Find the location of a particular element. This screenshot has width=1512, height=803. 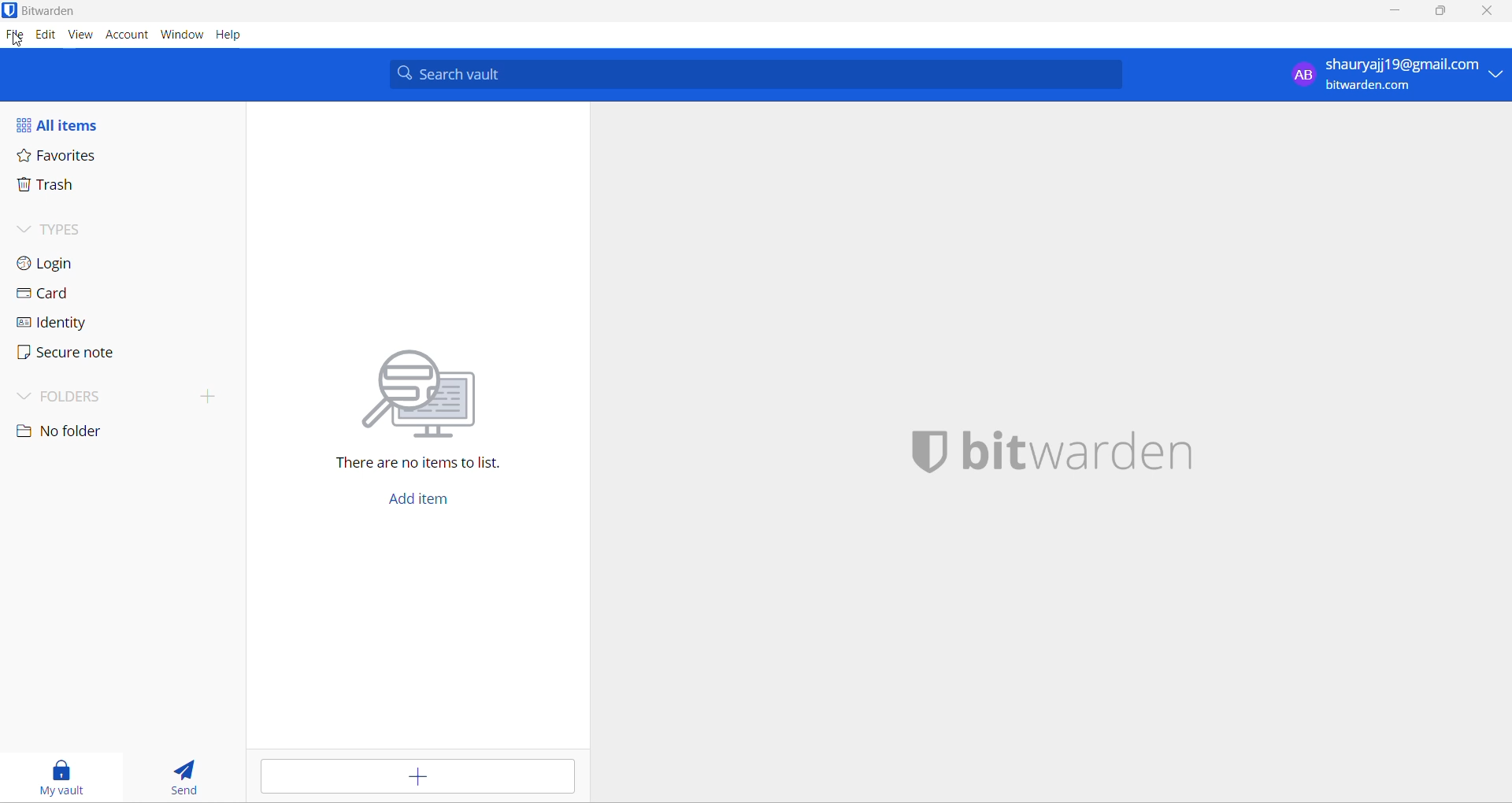

window is located at coordinates (180, 35).